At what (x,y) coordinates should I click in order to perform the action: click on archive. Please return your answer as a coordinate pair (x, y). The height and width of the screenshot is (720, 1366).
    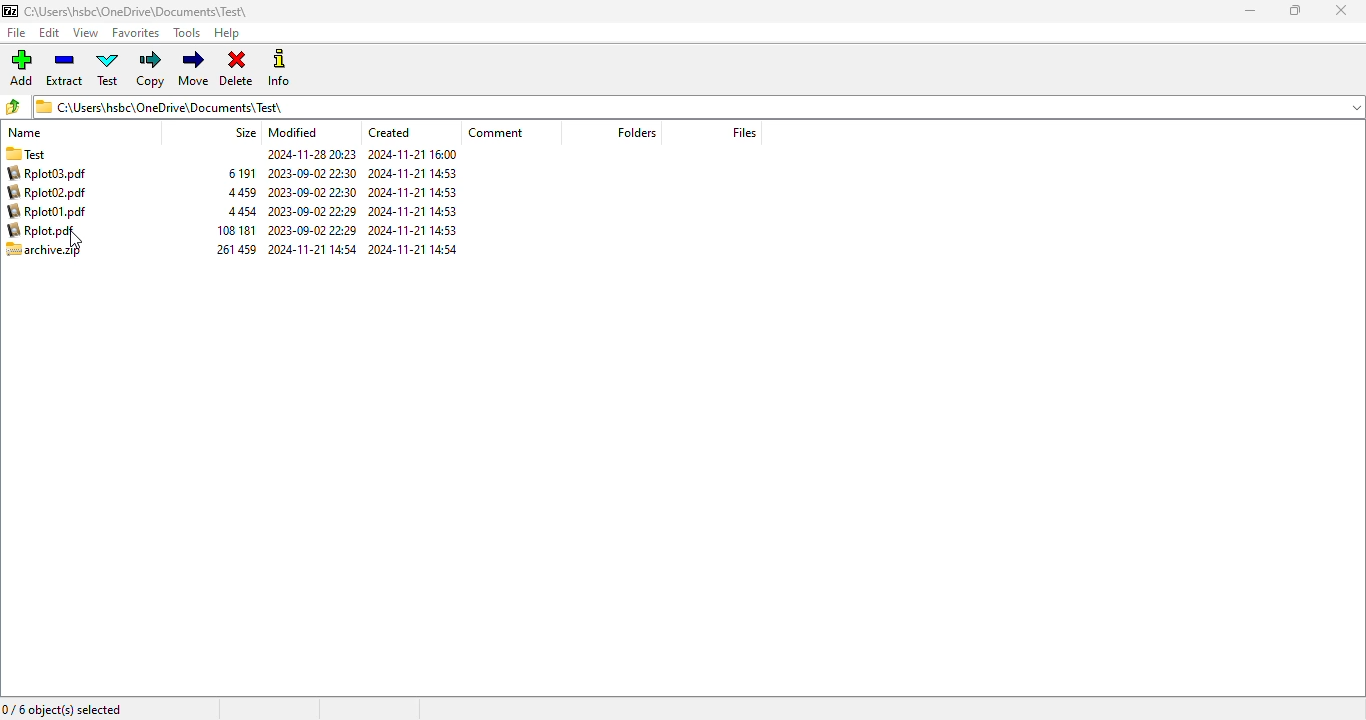
    Looking at the image, I should click on (44, 250).